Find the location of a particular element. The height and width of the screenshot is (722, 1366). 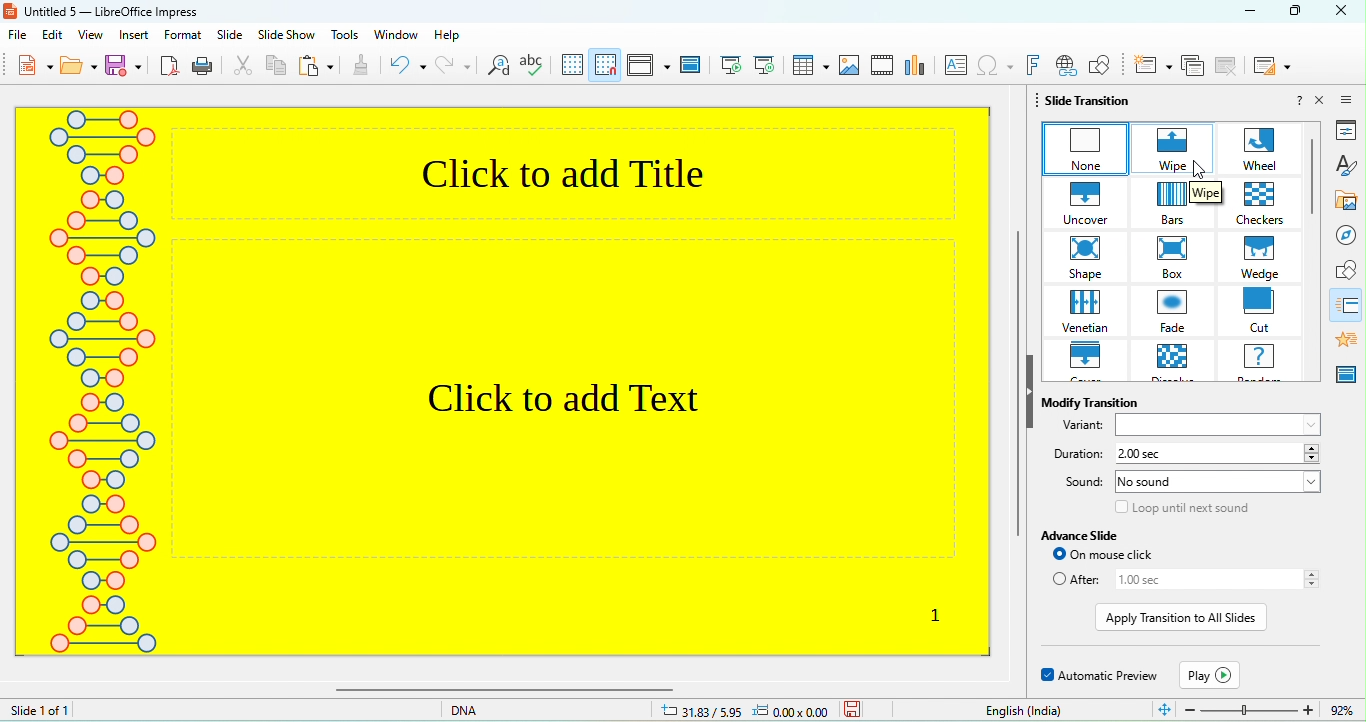

zoom is located at coordinates (1256, 709).